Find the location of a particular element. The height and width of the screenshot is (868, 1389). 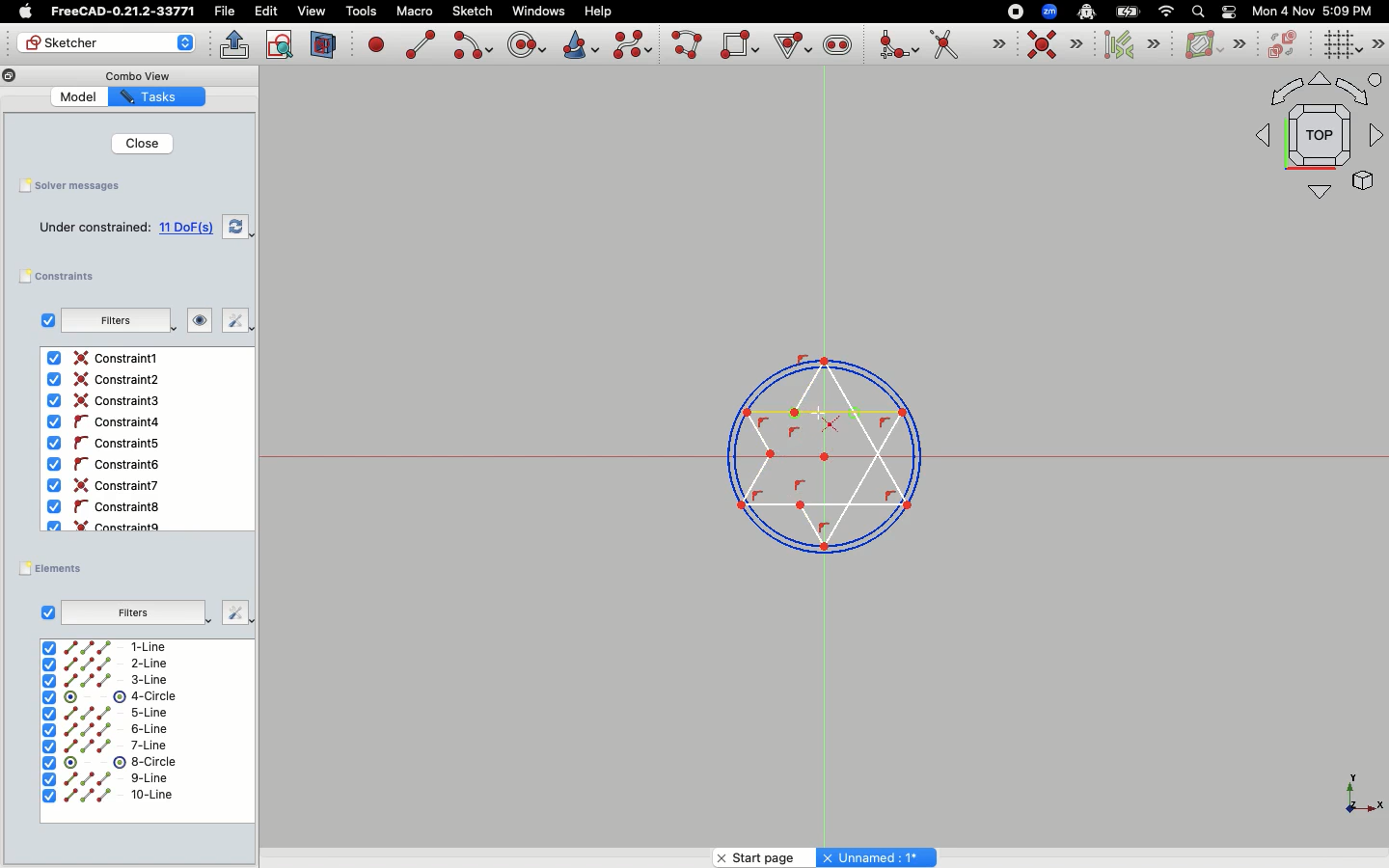

Search is located at coordinates (1197, 11).